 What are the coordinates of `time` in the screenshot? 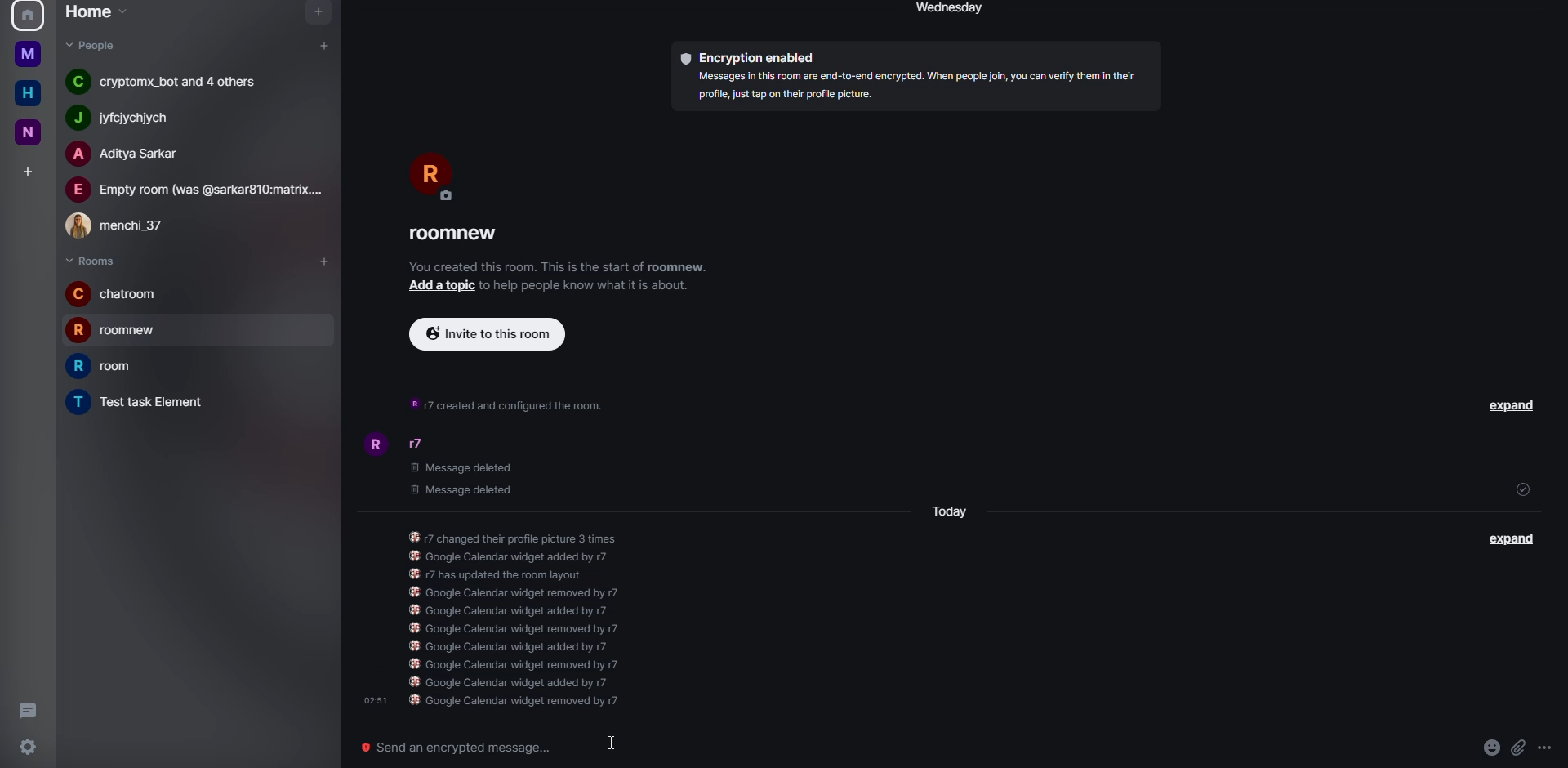 It's located at (374, 699).